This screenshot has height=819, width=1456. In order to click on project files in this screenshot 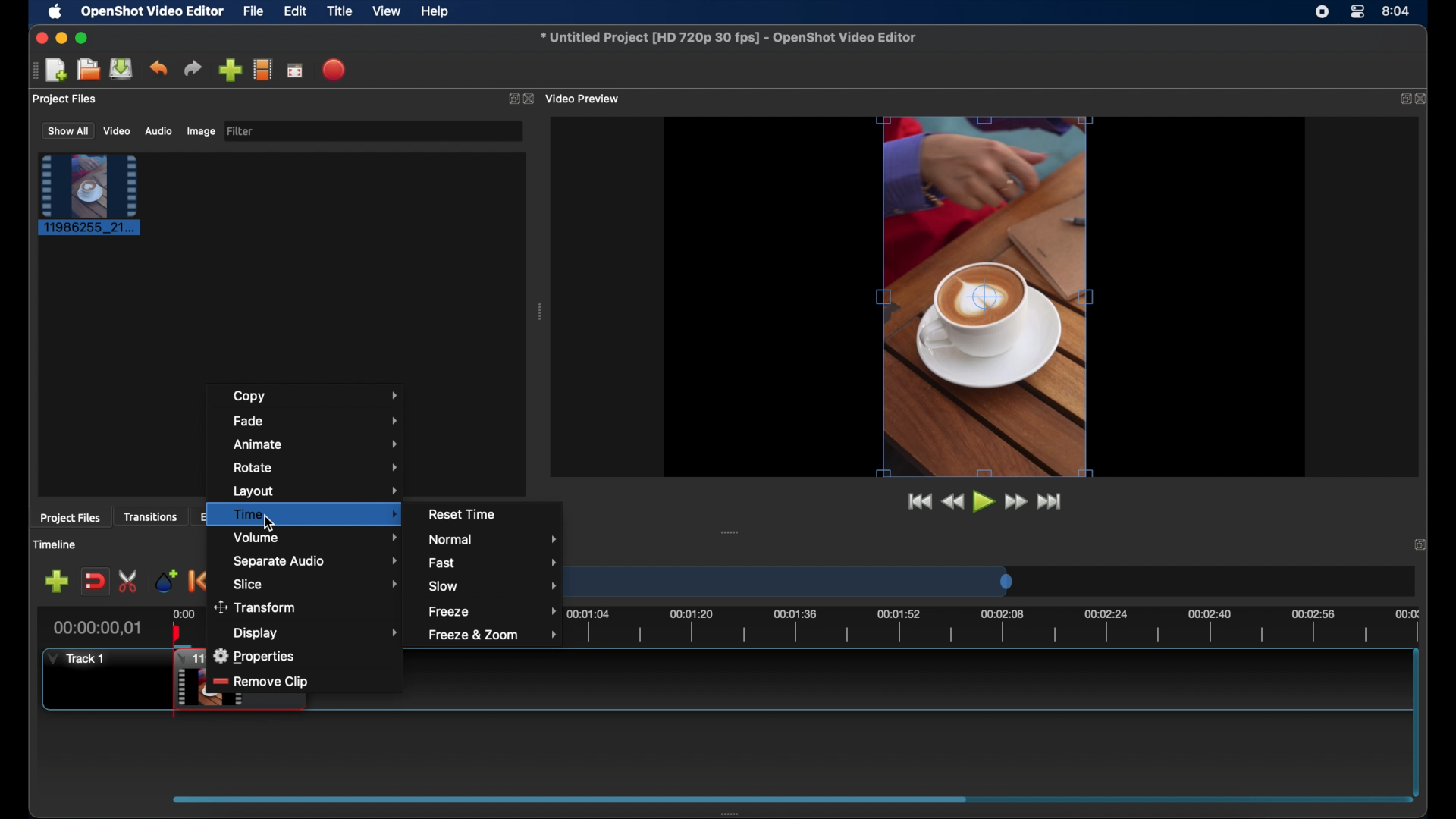, I will do `click(71, 519)`.